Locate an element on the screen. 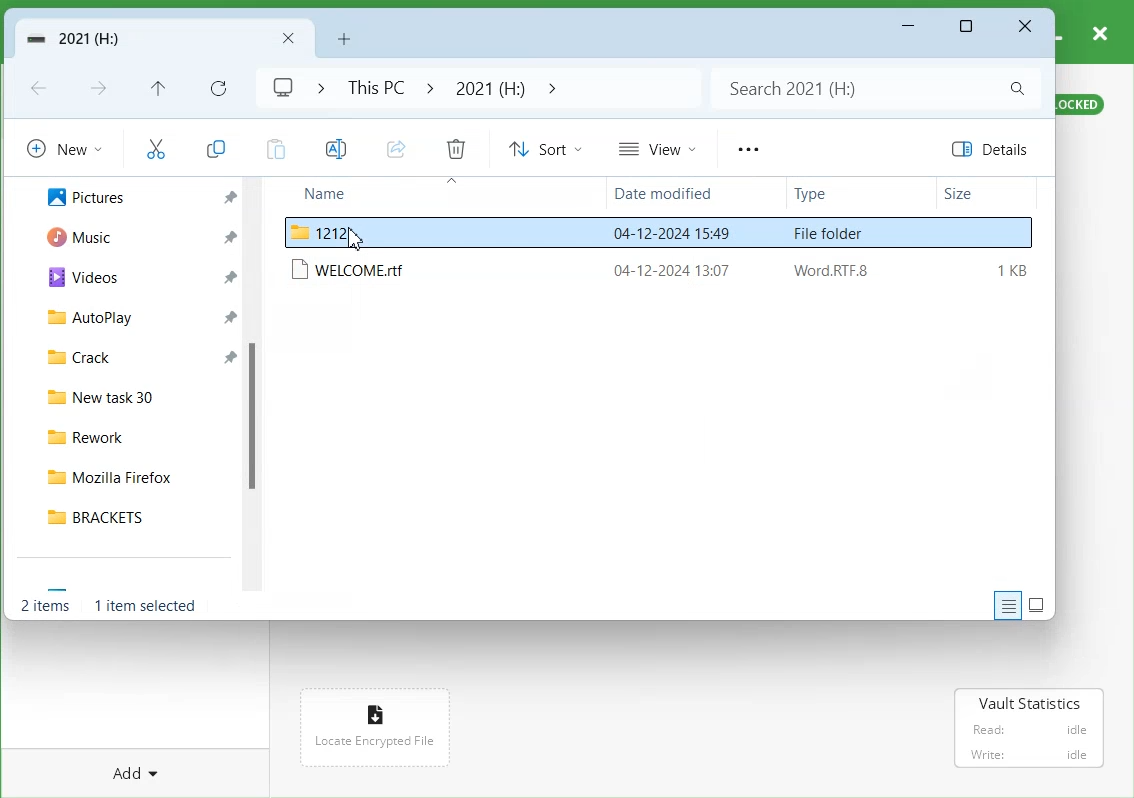 Image resolution: width=1134 pixels, height=798 pixels. Add New folder is located at coordinates (344, 37).